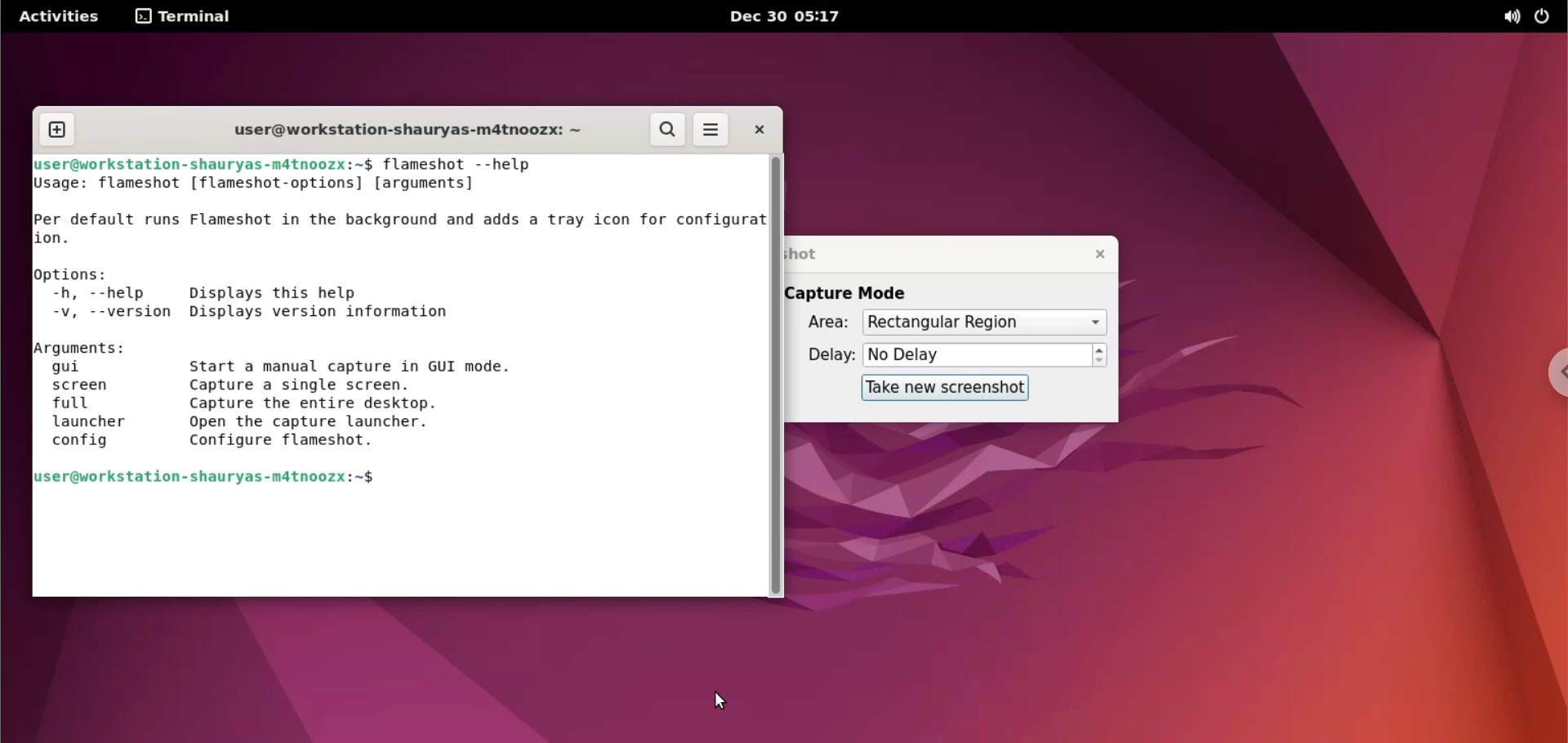 Image resolution: width=1568 pixels, height=743 pixels. I want to click on Dec 30 05:16, so click(792, 16).